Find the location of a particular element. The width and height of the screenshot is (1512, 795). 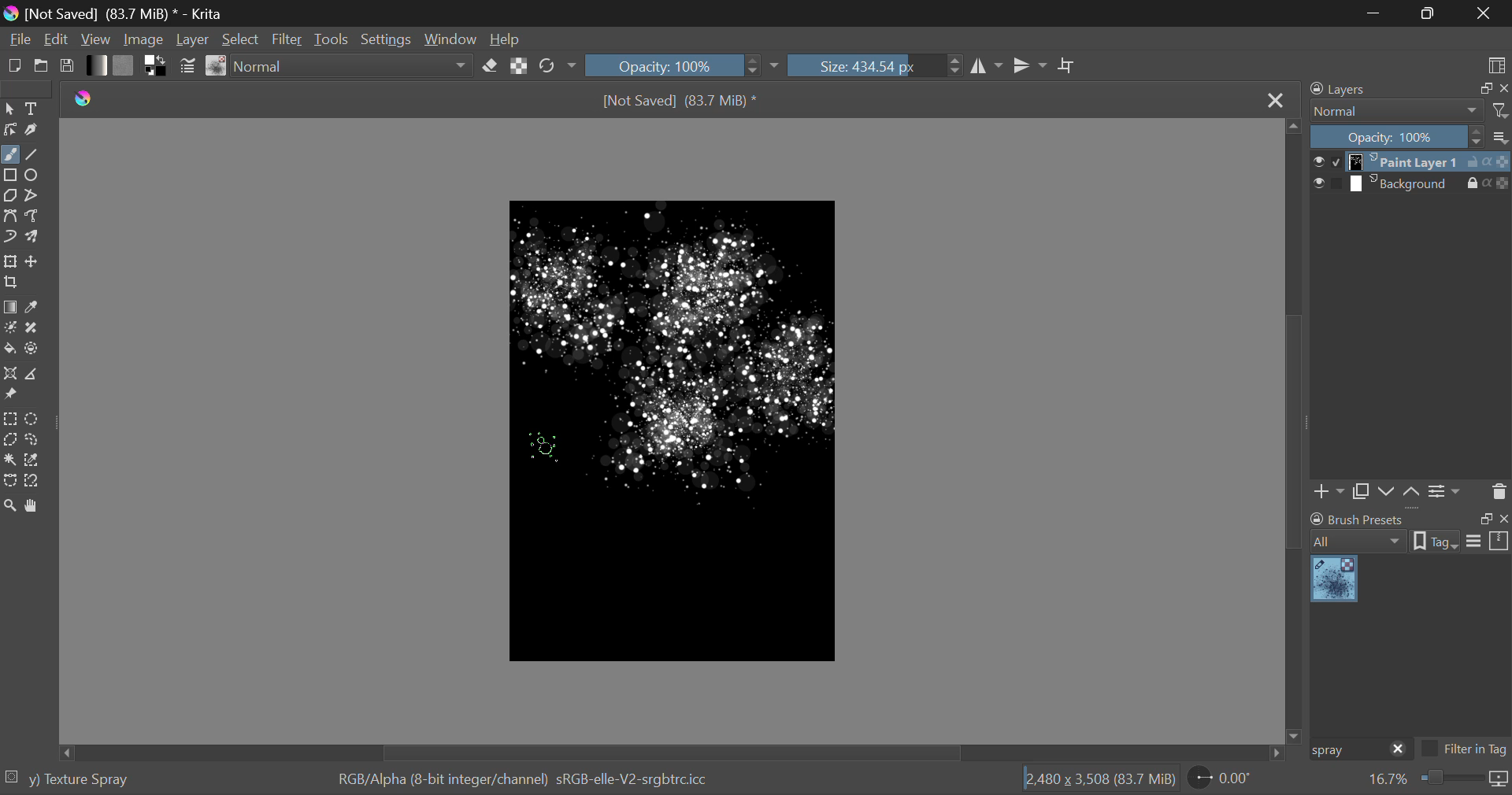

Brush Preset Search: "spray" is located at coordinates (1346, 750).